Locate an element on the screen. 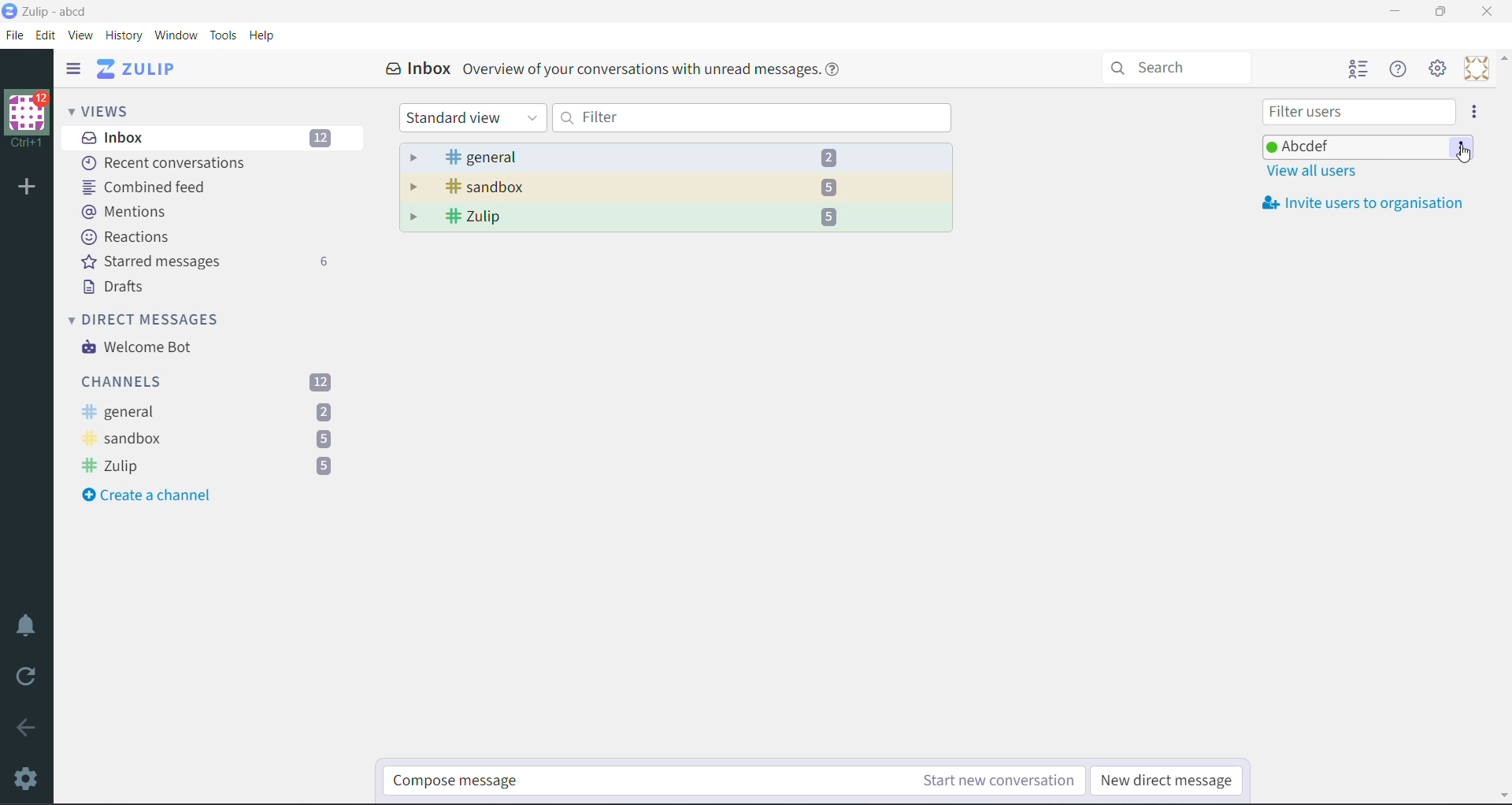 The height and width of the screenshot is (805, 1512). Close is located at coordinates (1487, 12).